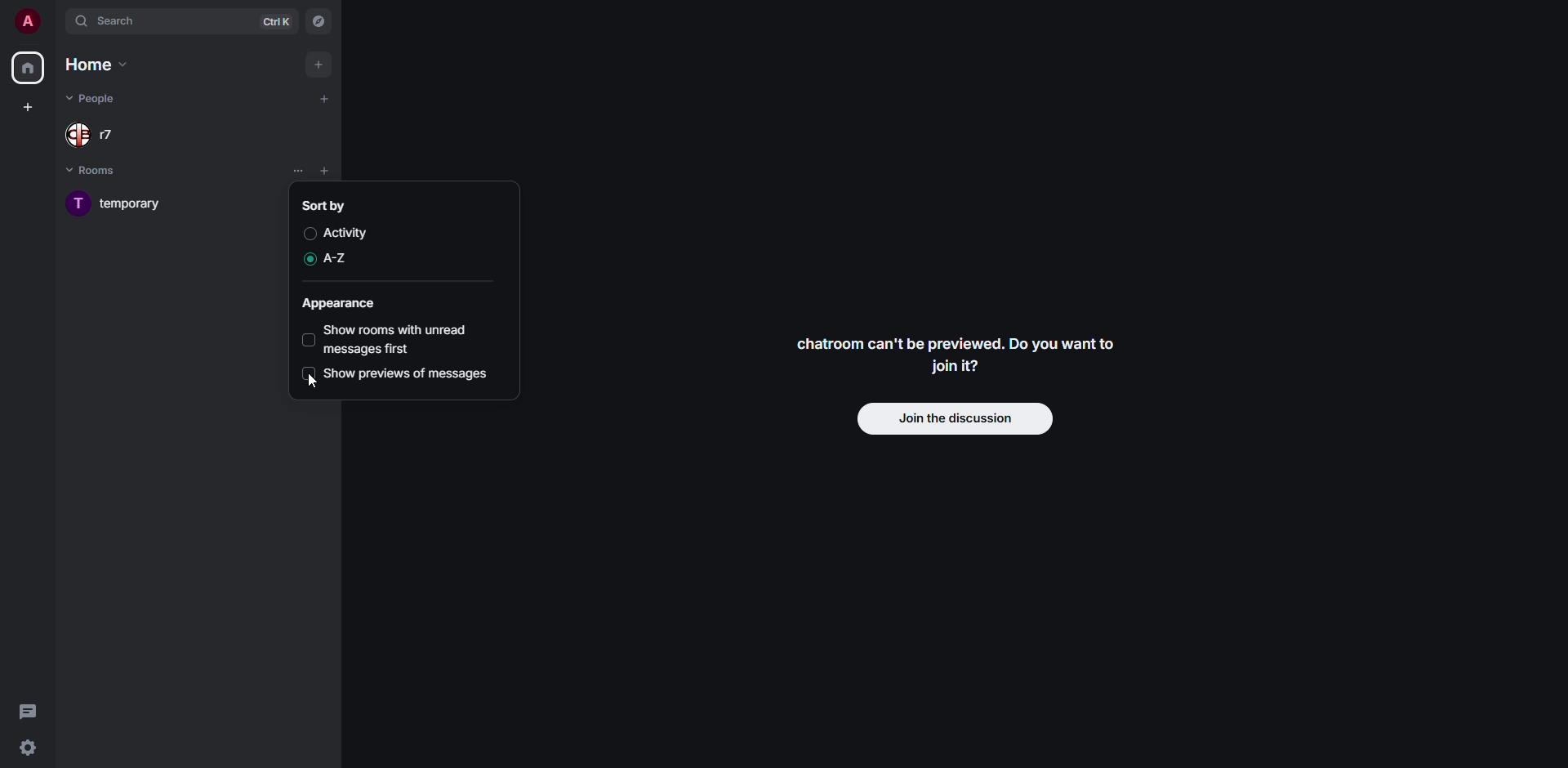 The height and width of the screenshot is (768, 1568). What do you see at coordinates (963, 356) in the screenshot?
I see `chatroom can't be previewed. Do you want to join it?` at bounding box center [963, 356].